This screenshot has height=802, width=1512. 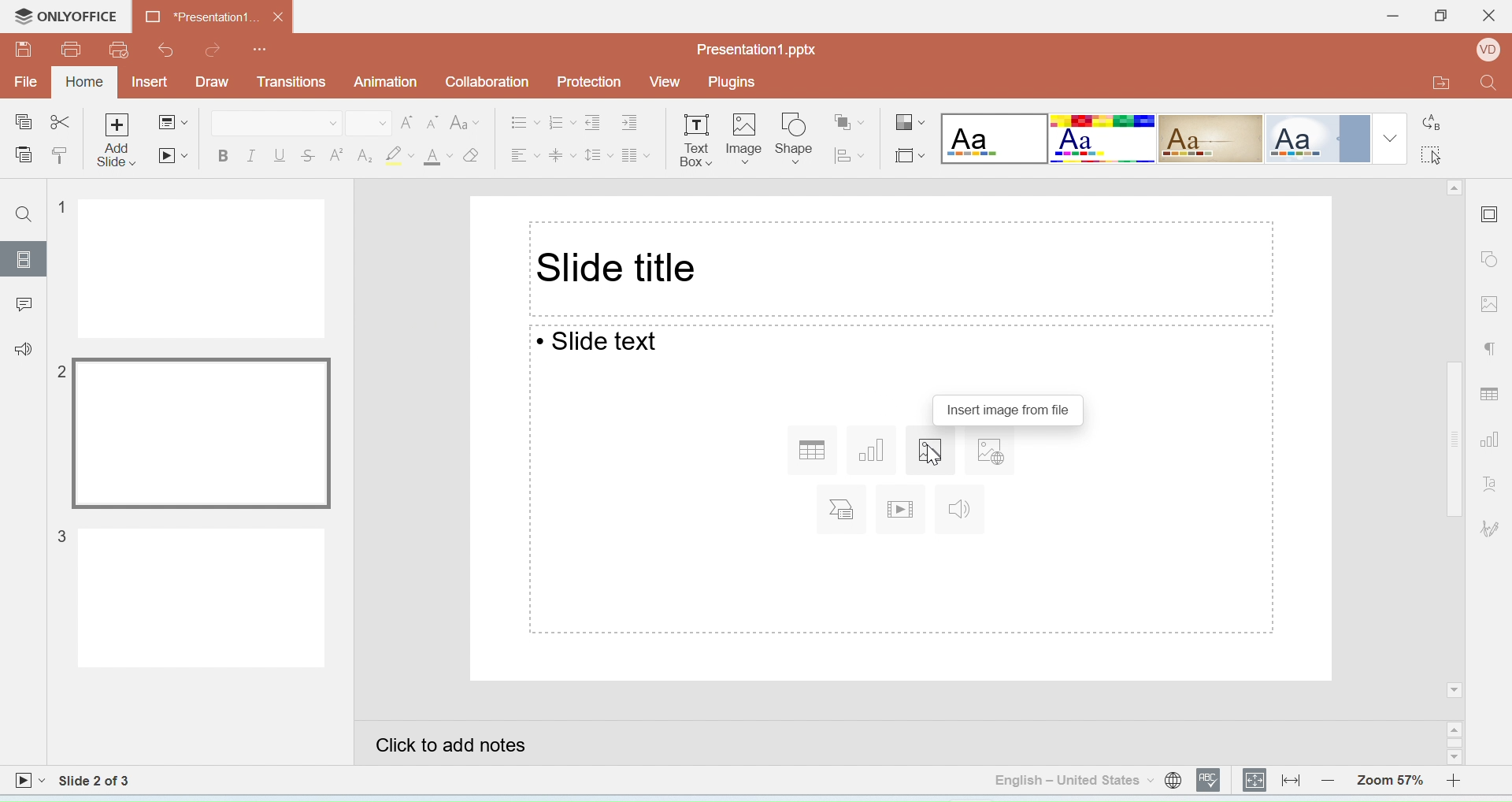 What do you see at coordinates (493, 84) in the screenshot?
I see `Collaboration` at bounding box center [493, 84].